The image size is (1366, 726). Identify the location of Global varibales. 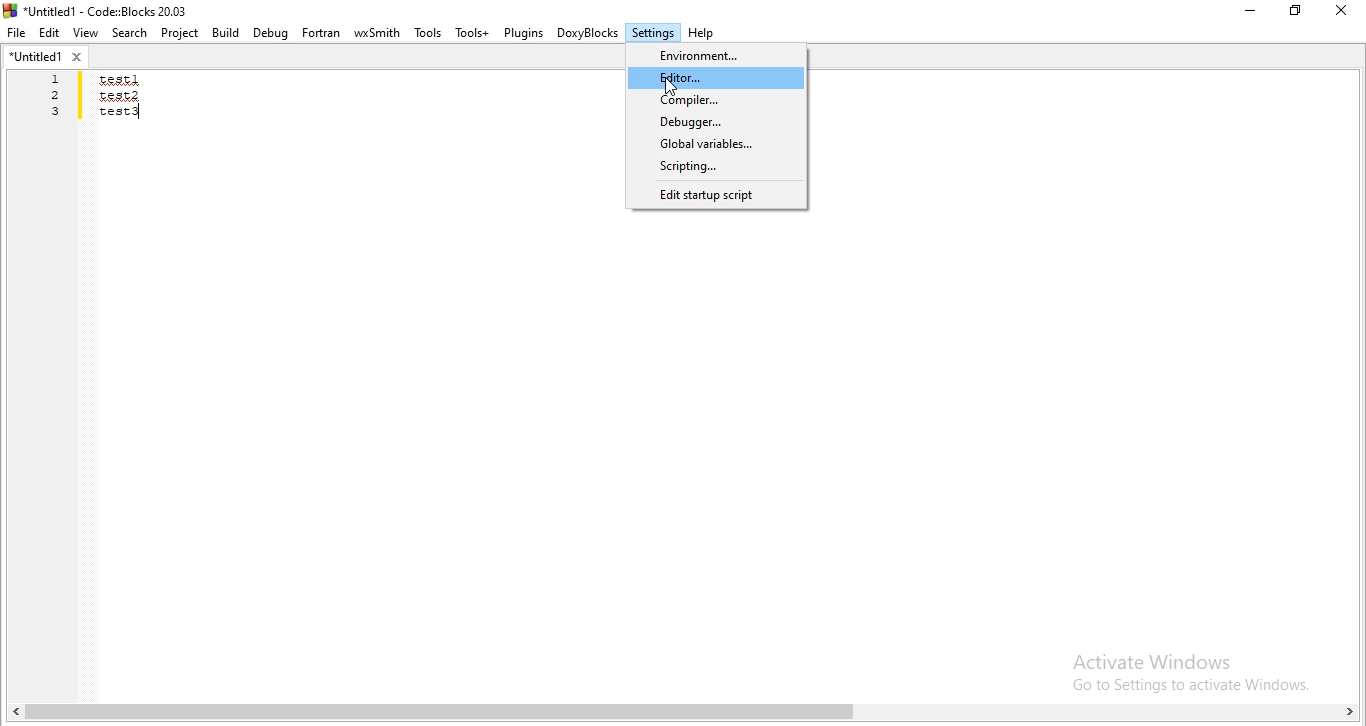
(715, 143).